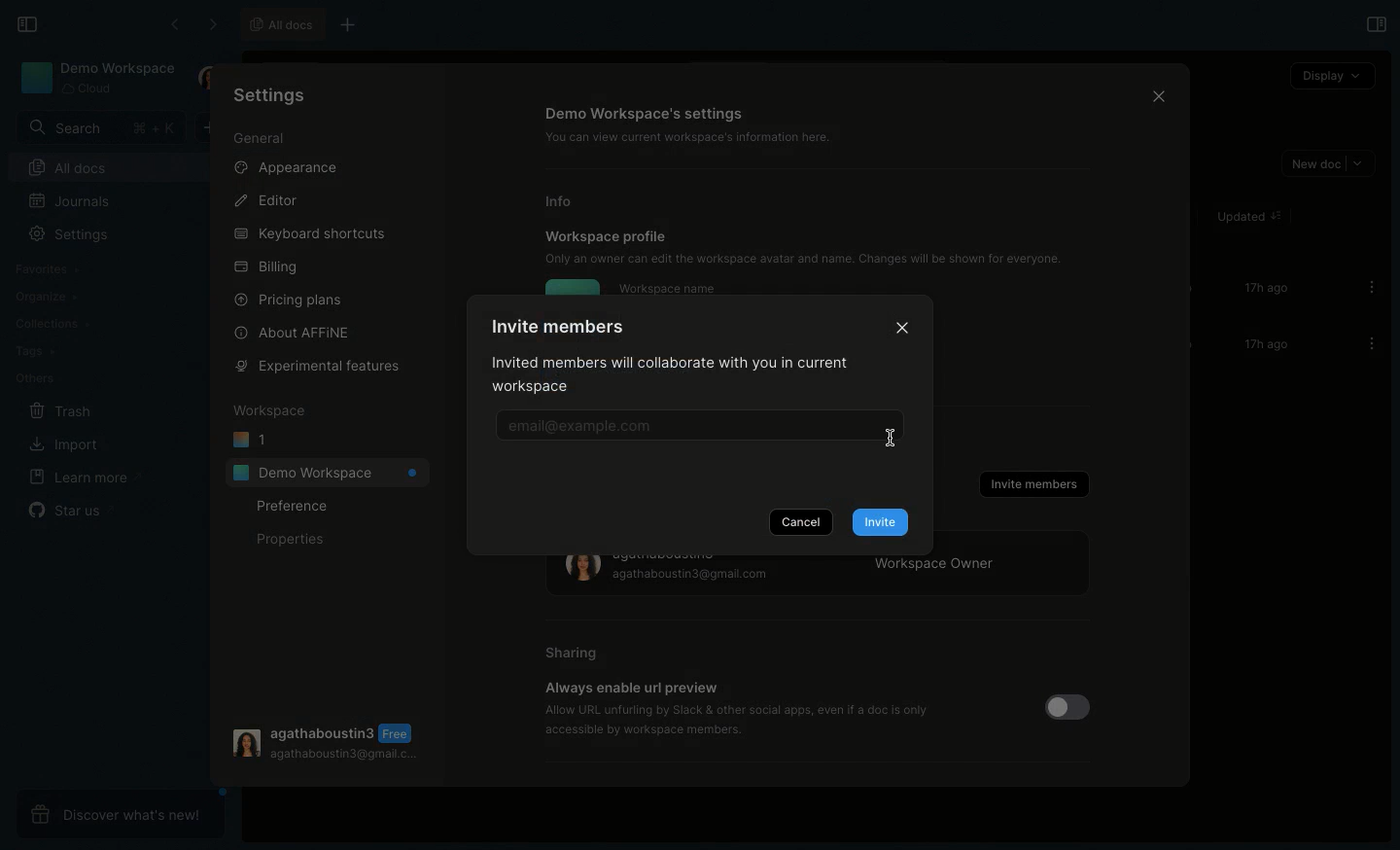 This screenshot has width=1400, height=850. I want to click on About AFFINE, so click(296, 333).